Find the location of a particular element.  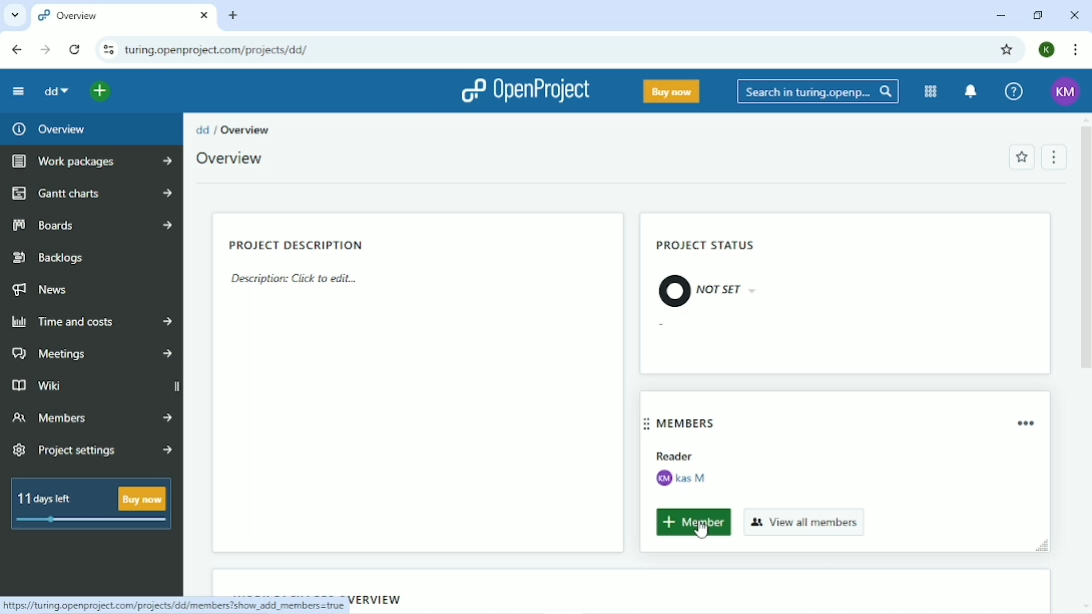

overview is located at coordinates (124, 15).